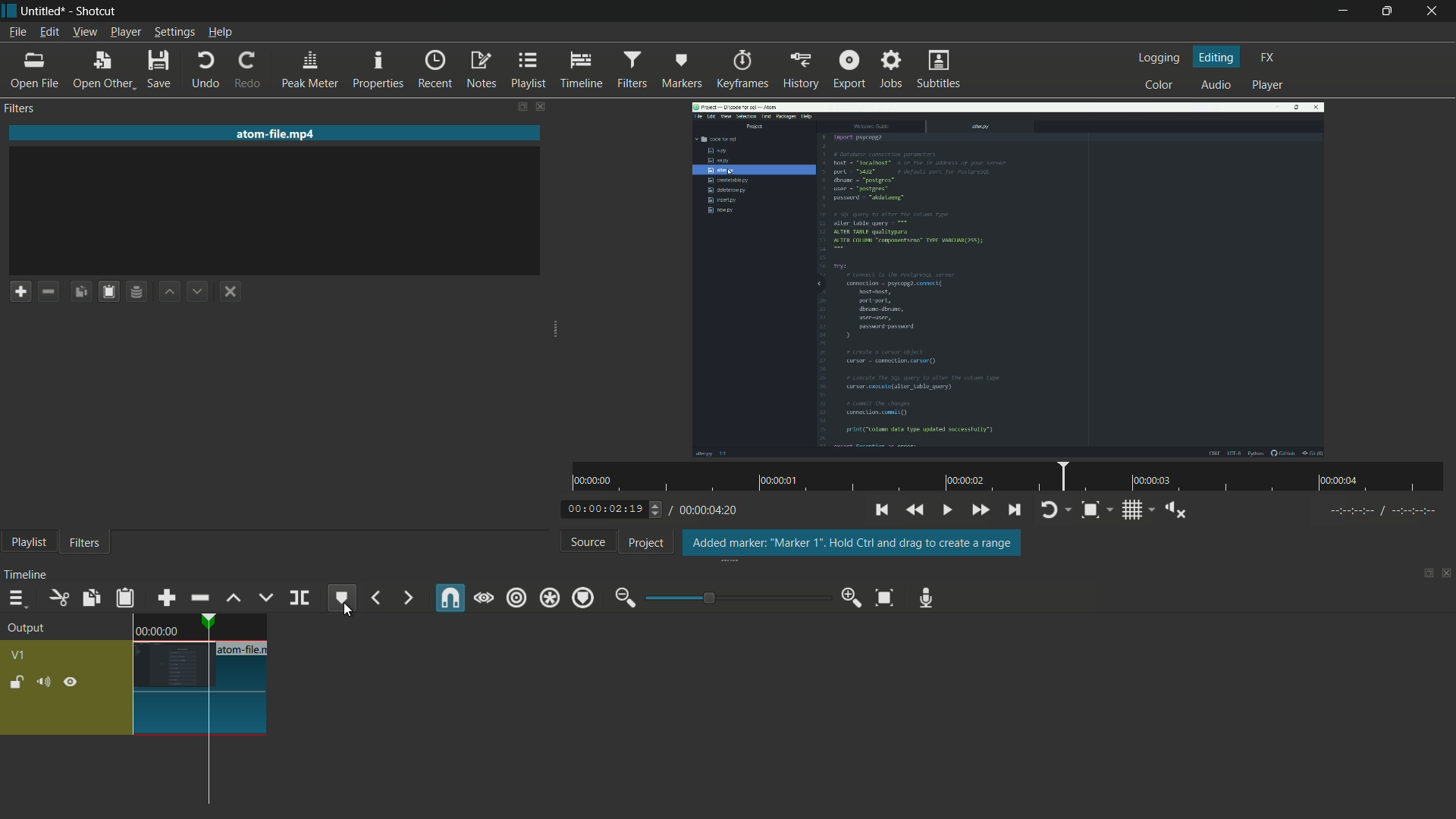 The image size is (1456, 819). What do you see at coordinates (1267, 58) in the screenshot?
I see `fx` at bounding box center [1267, 58].